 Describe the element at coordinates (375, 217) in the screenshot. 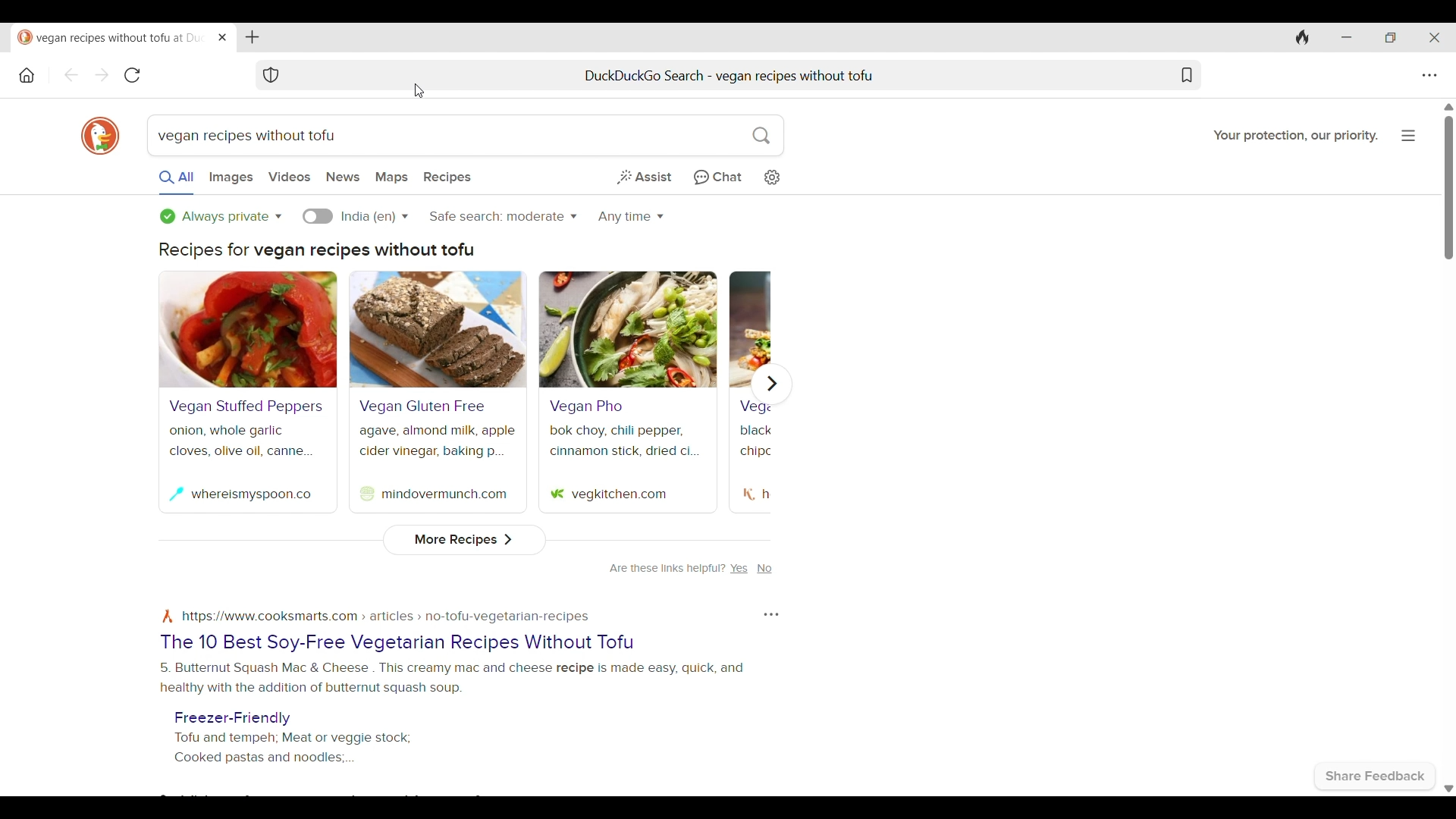

I see `Language options` at that location.